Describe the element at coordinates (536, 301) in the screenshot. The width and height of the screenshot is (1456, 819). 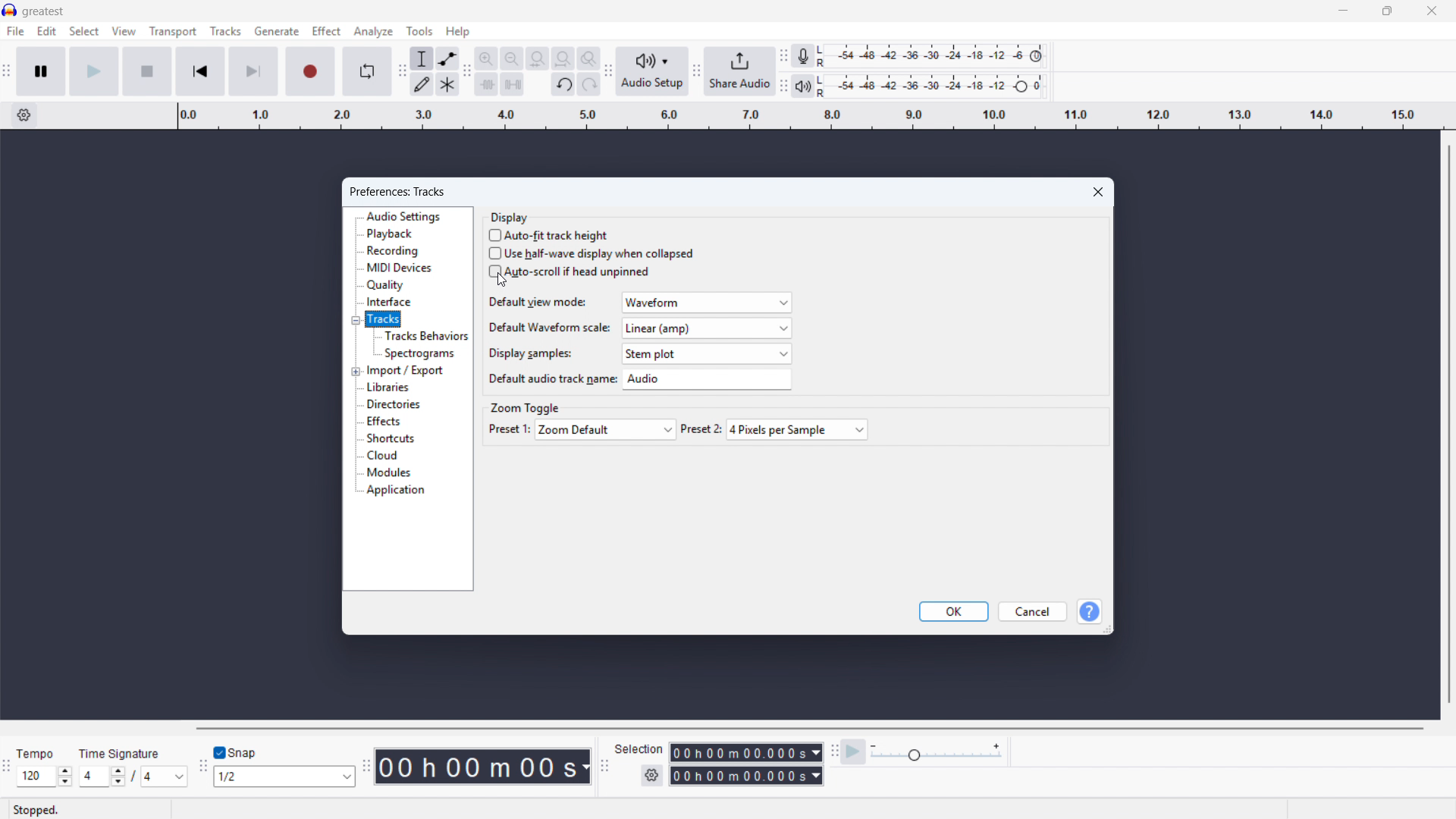
I see `Default view mode ` at that location.